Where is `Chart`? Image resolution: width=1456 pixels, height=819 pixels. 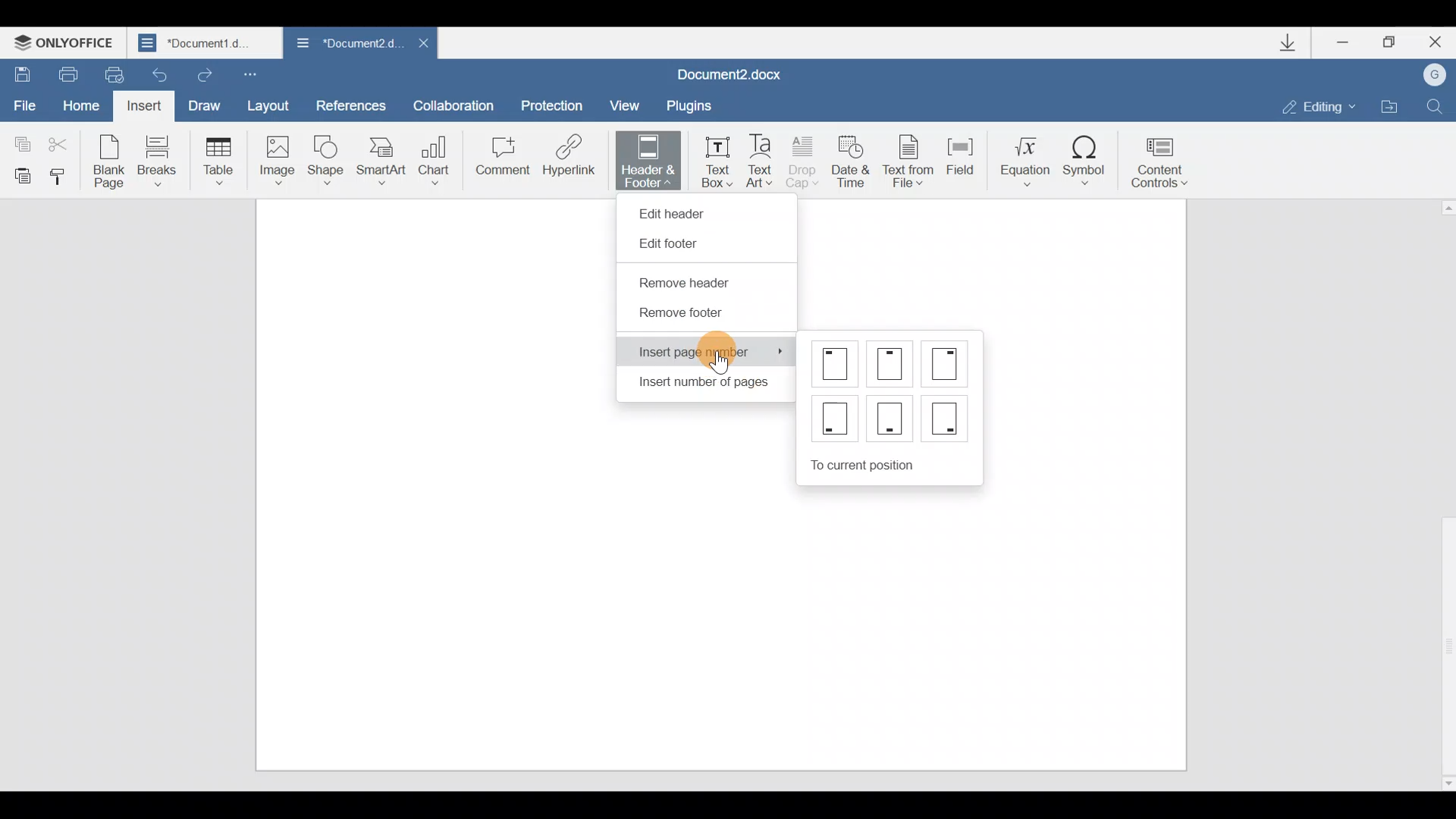 Chart is located at coordinates (437, 155).